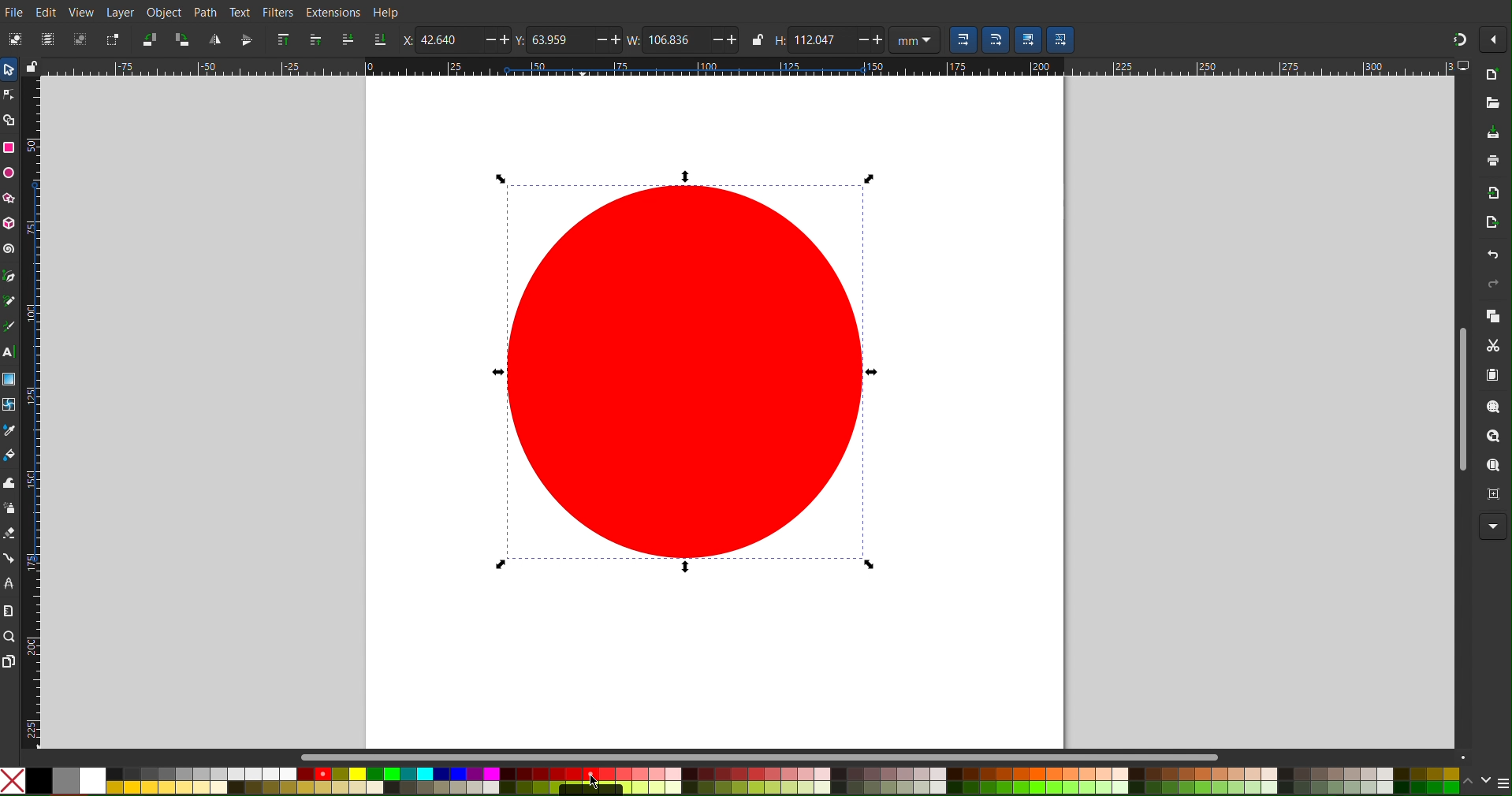 This screenshot has width=1512, height=796. What do you see at coordinates (632, 39) in the screenshot?
I see `Width` at bounding box center [632, 39].